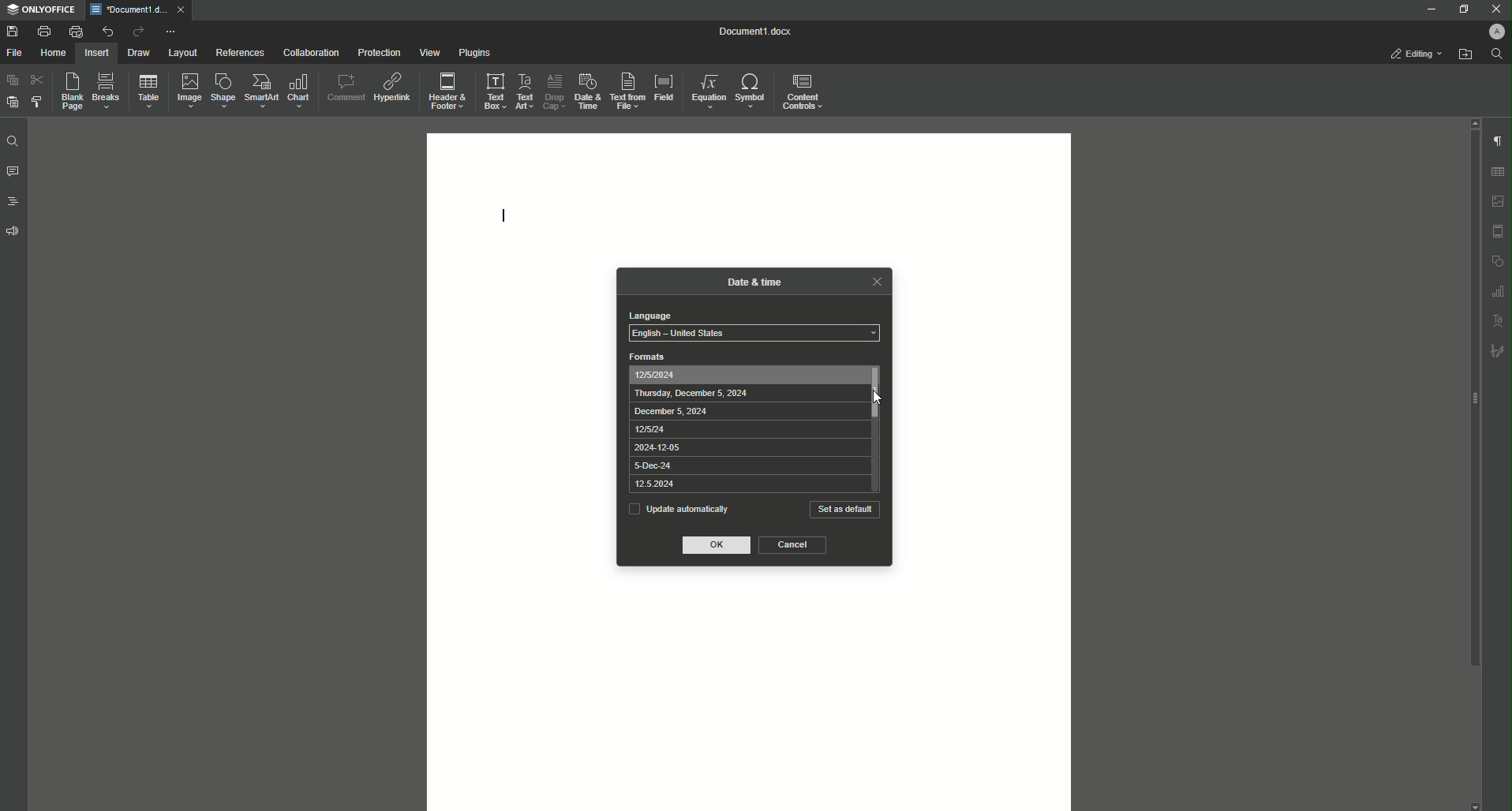 This screenshot has width=1512, height=811. What do you see at coordinates (425, 52) in the screenshot?
I see `View` at bounding box center [425, 52].